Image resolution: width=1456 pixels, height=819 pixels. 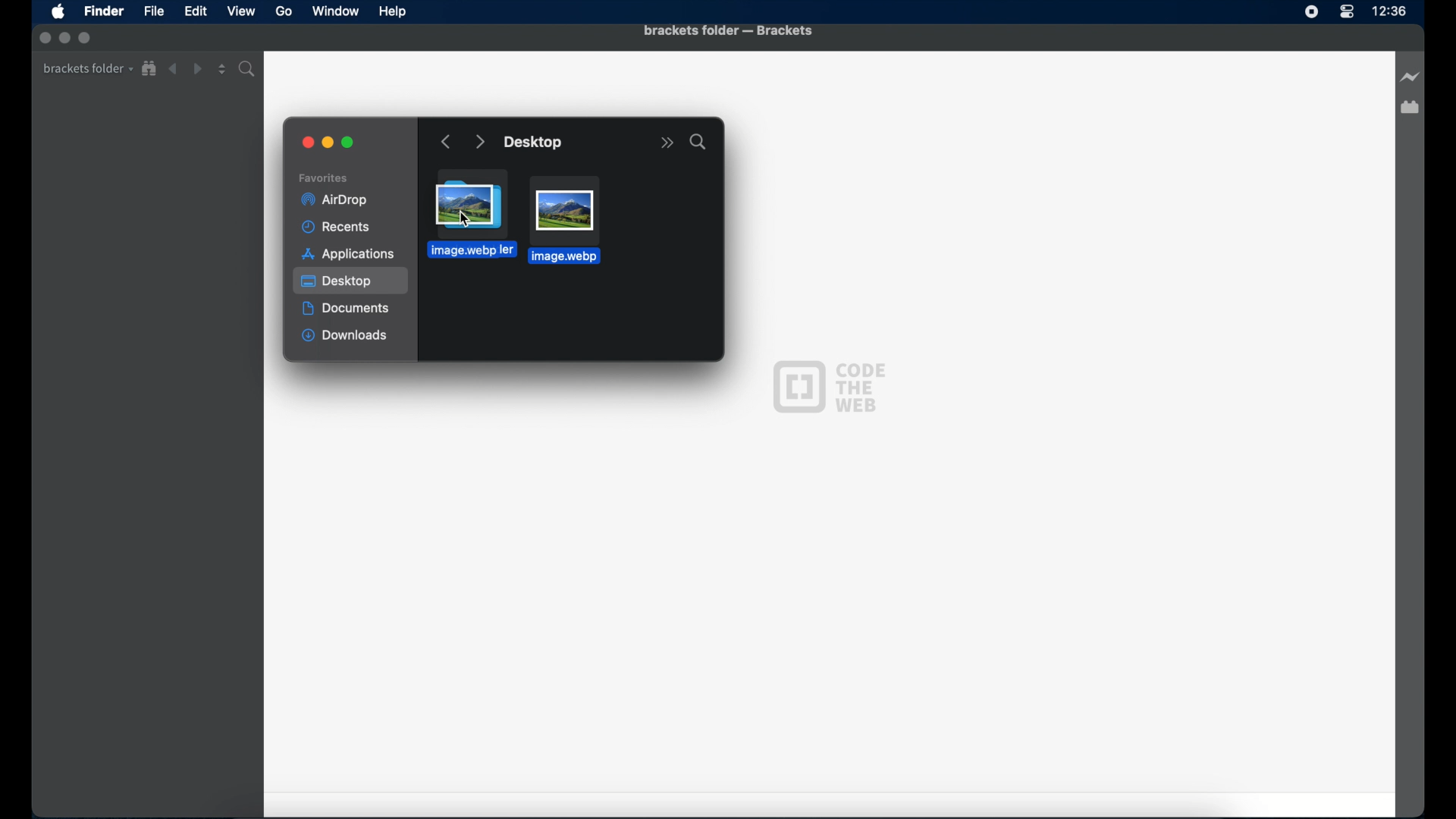 What do you see at coordinates (196, 12) in the screenshot?
I see `Edit` at bounding box center [196, 12].